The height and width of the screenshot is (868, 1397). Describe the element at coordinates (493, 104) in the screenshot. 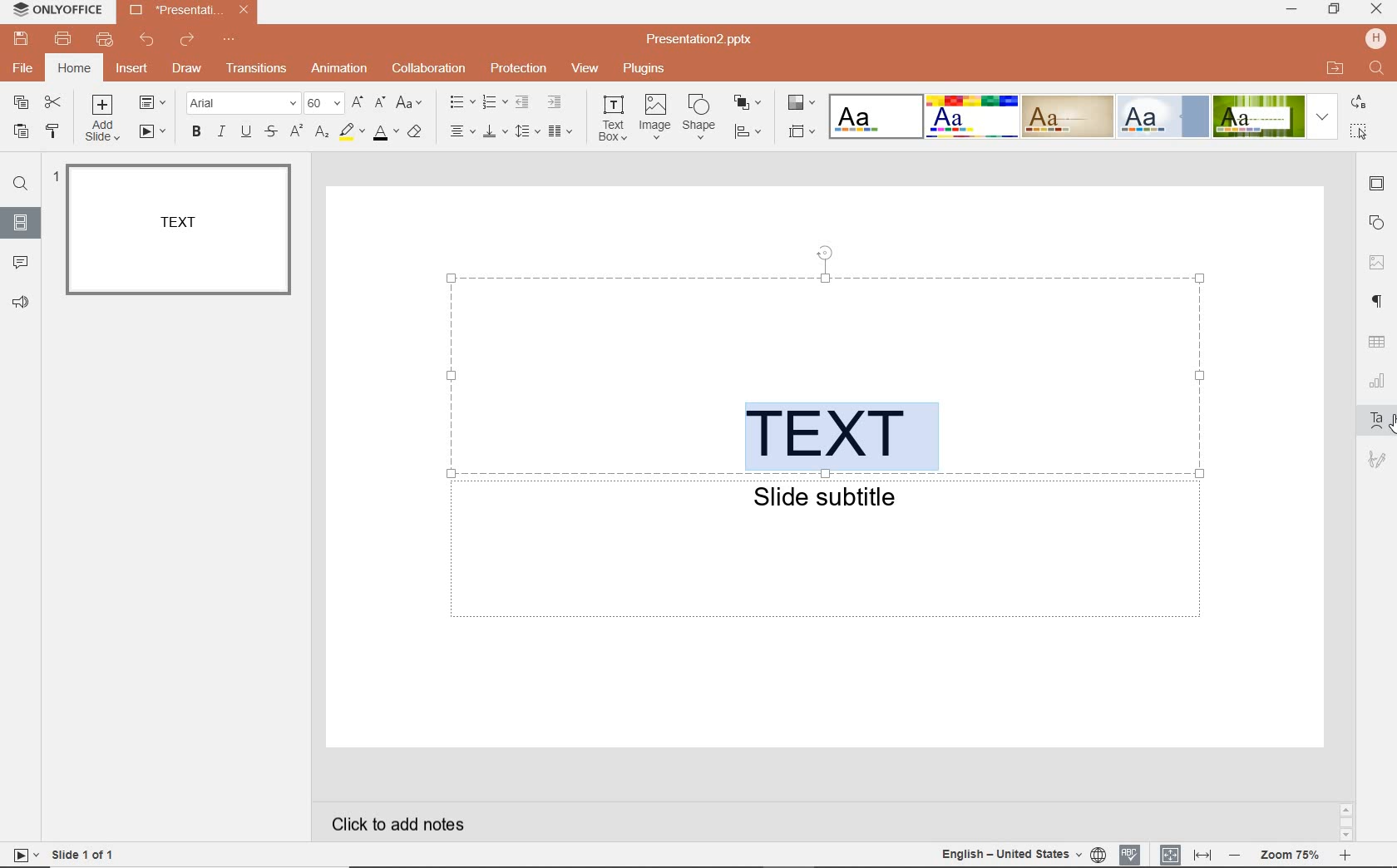

I see `NUMBERING` at that location.